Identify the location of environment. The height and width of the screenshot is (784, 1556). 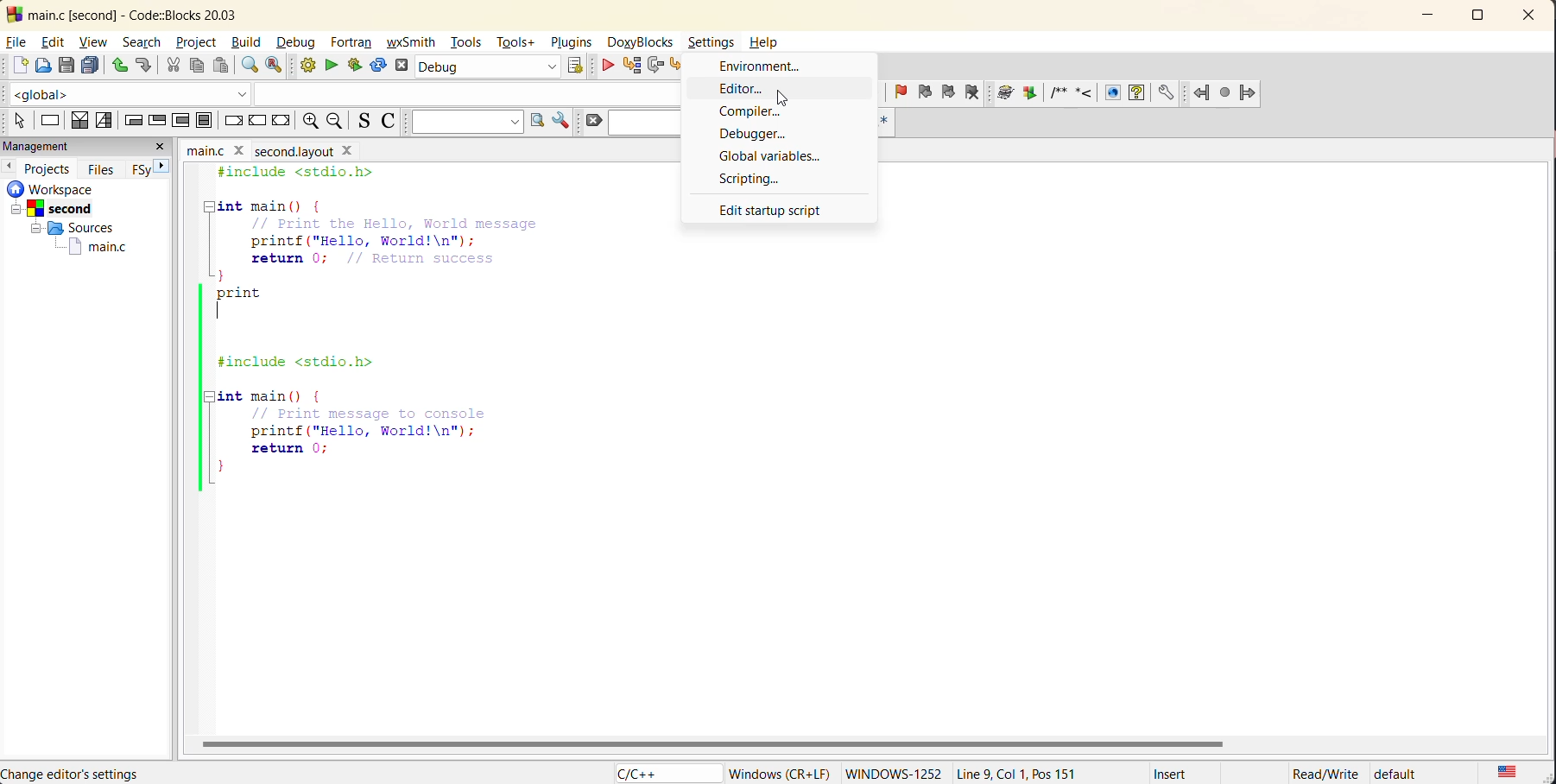
(762, 66).